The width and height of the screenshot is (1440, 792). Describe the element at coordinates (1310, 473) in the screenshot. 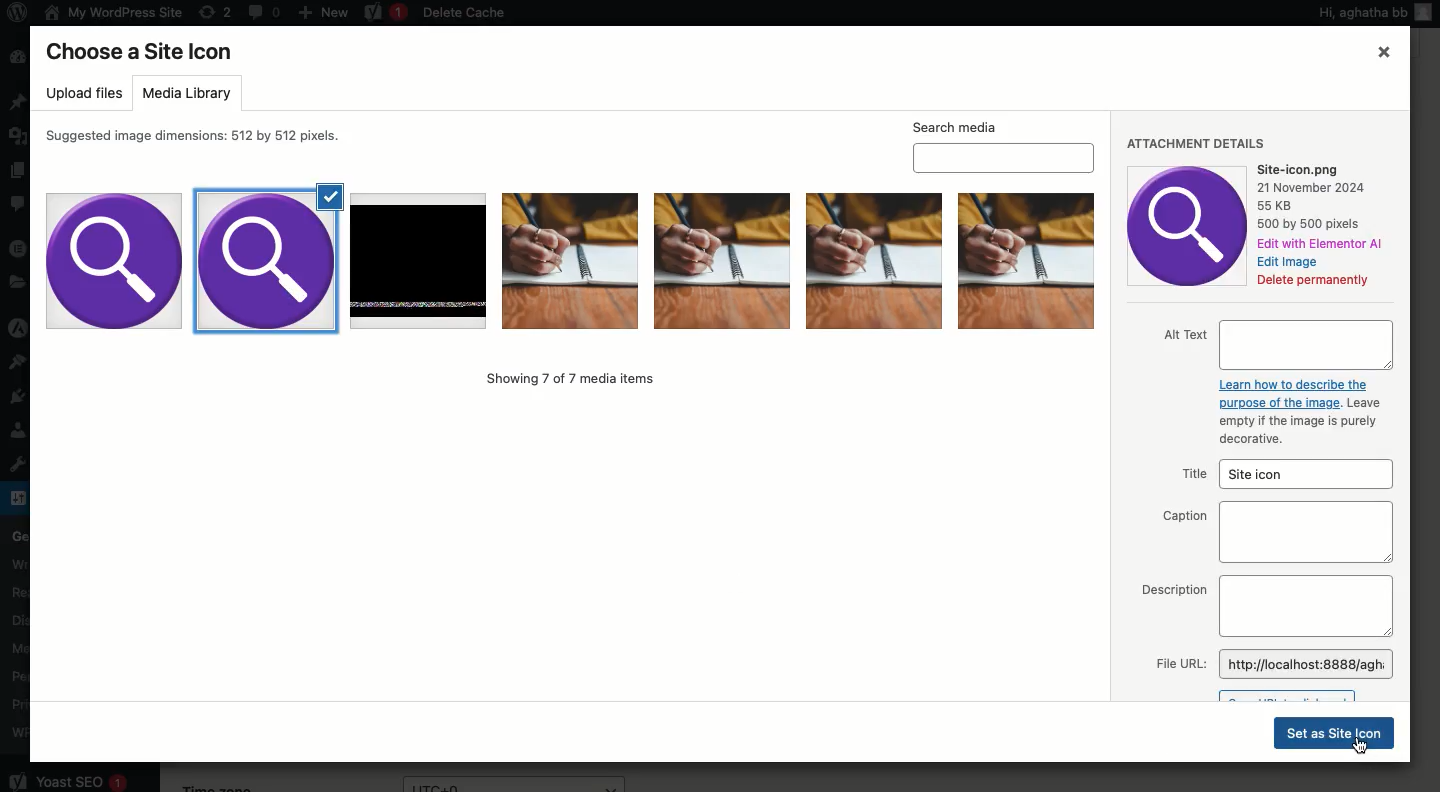

I see `Site icon` at that location.